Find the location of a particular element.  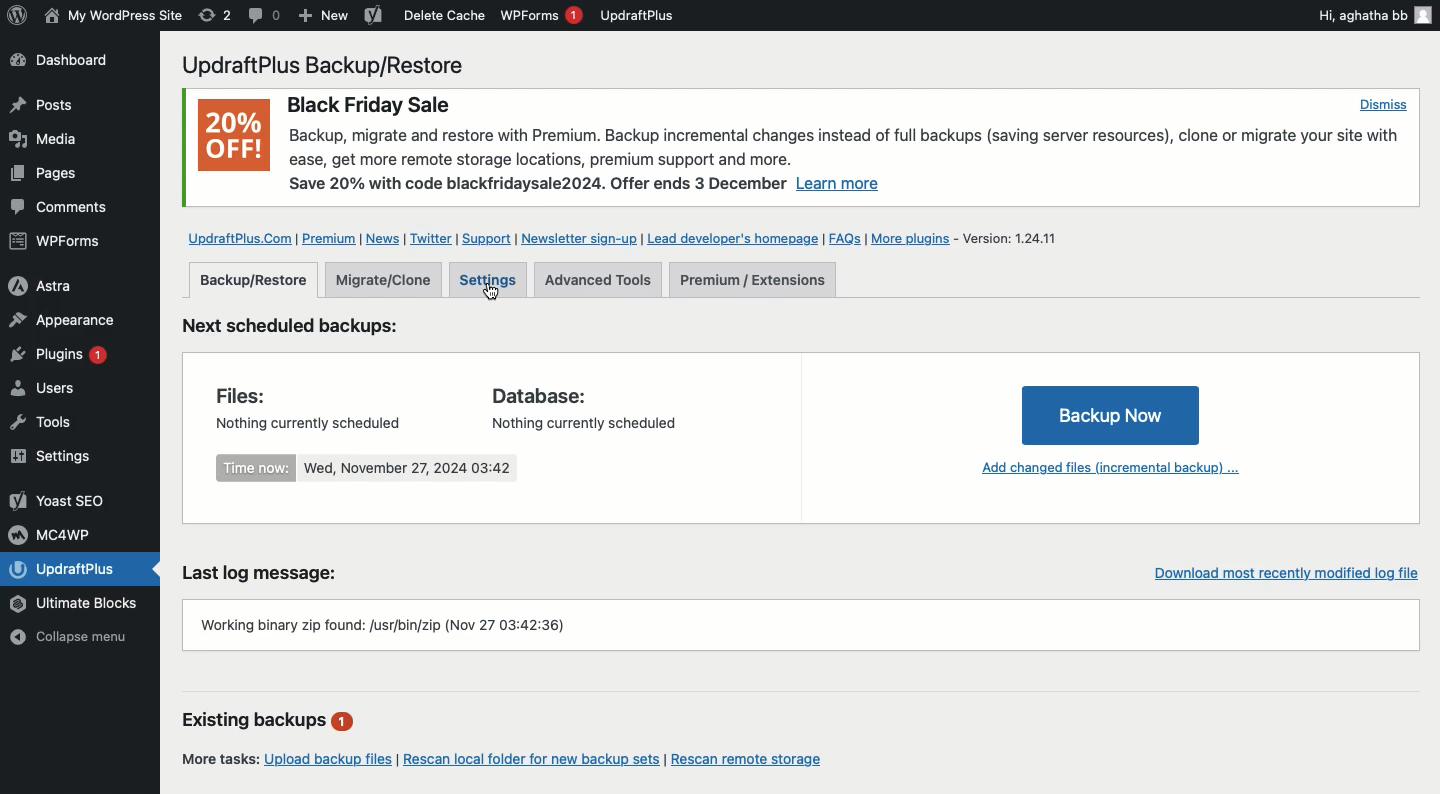

Comments is located at coordinates (62, 208).